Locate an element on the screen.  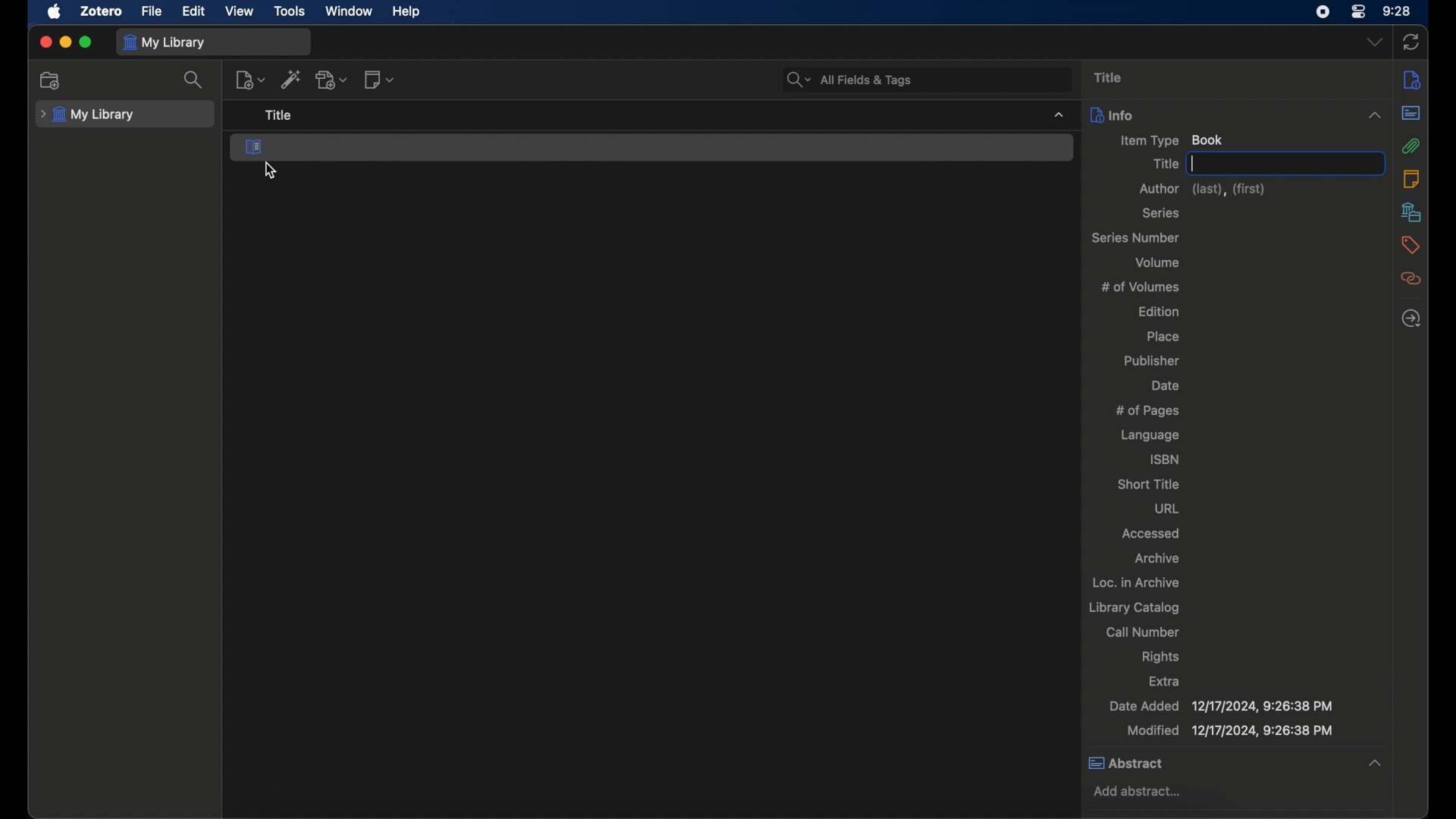
extra is located at coordinates (1164, 680).